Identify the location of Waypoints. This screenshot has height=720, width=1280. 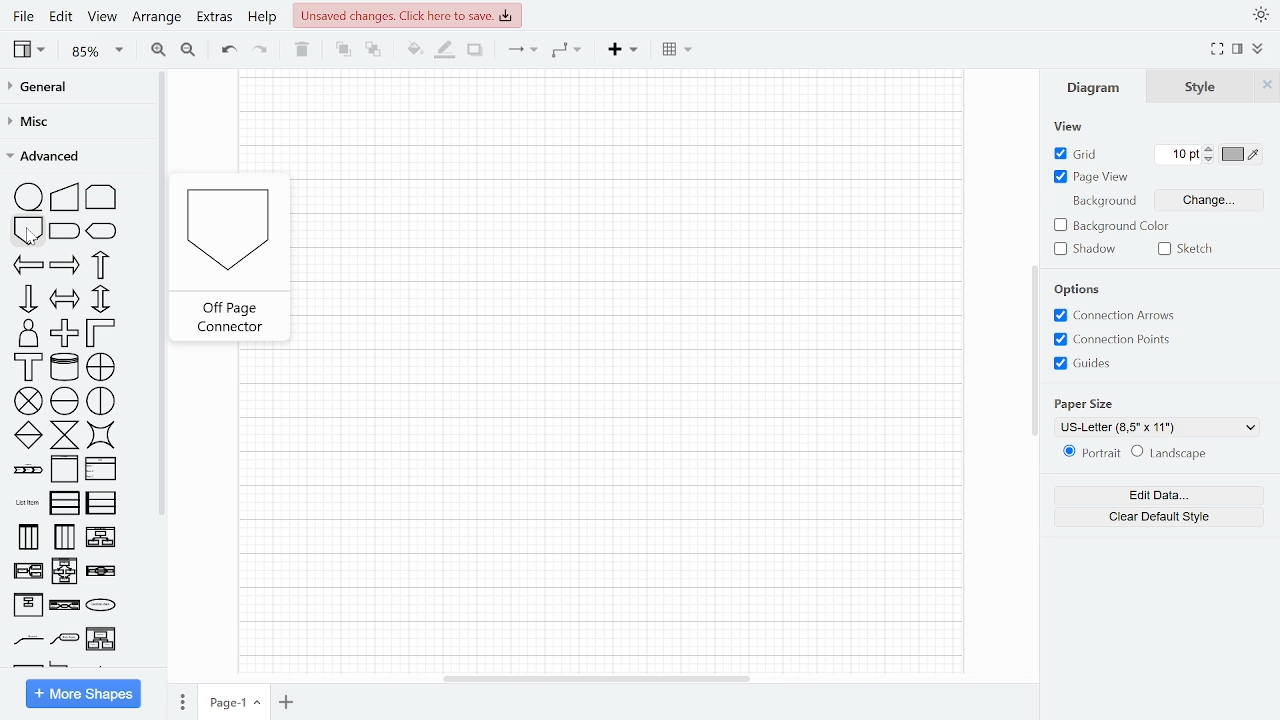
(567, 53).